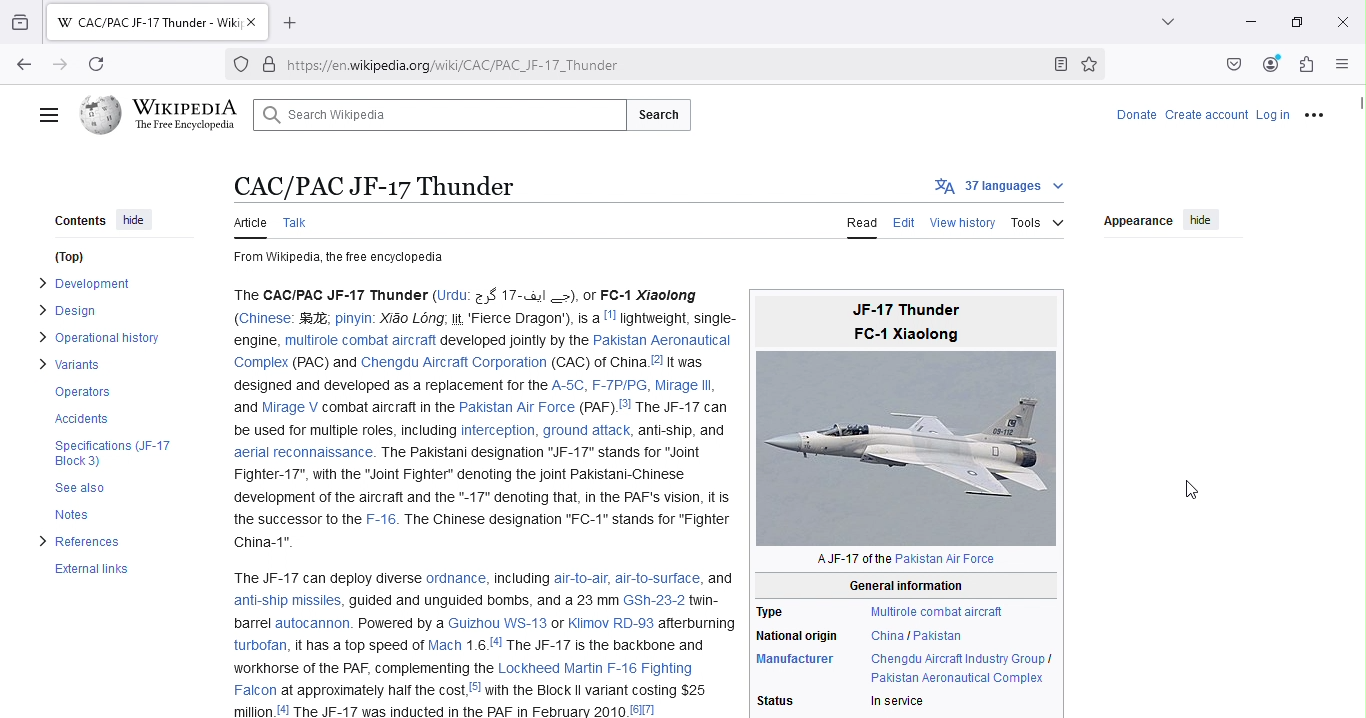 The height and width of the screenshot is (718, 1366). Describe the element at coordinates (1064, 65) in the screenshot. I see `Toggle reader view` at that location.